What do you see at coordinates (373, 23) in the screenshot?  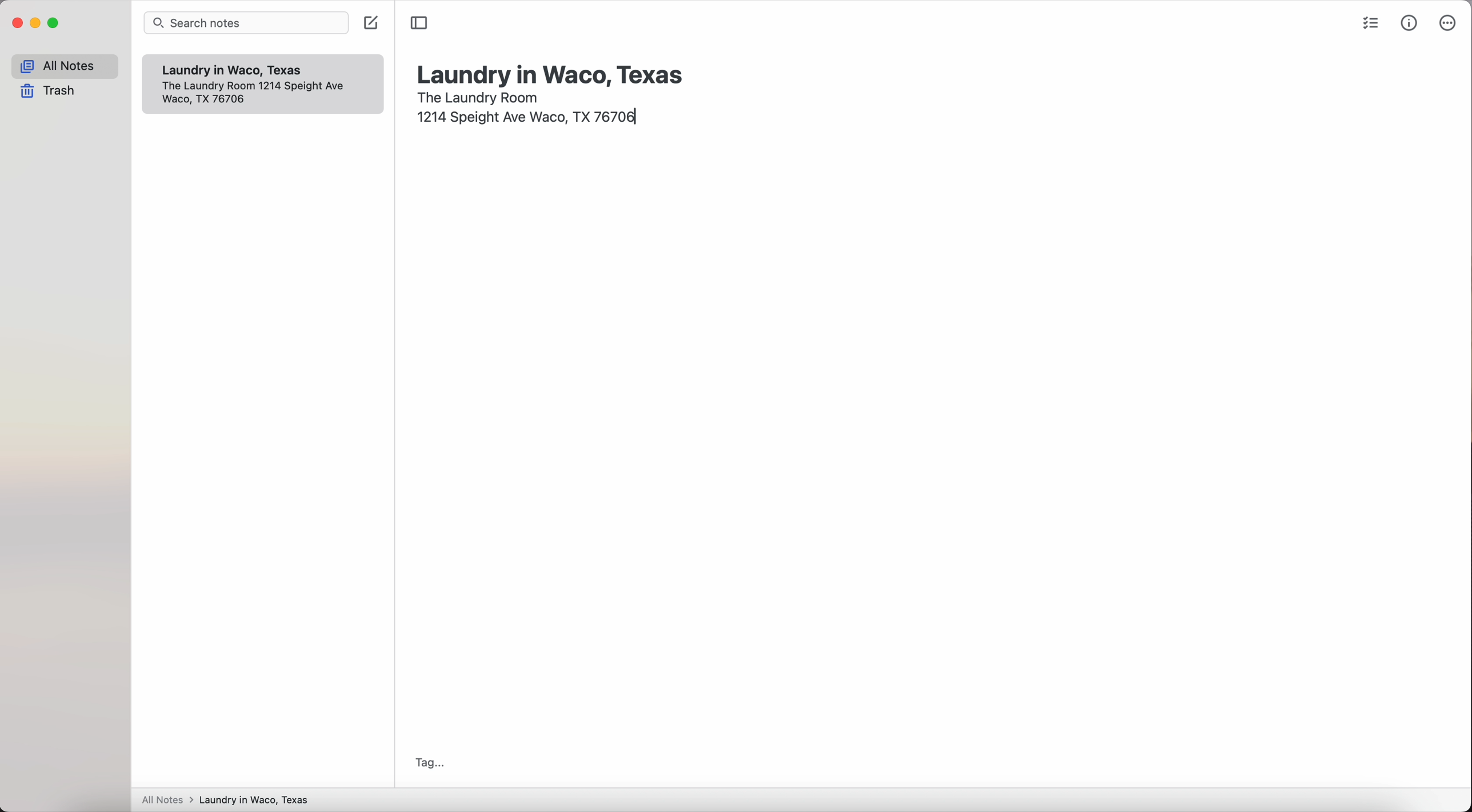 I see `click on create note` at bounding box center [373, 23].